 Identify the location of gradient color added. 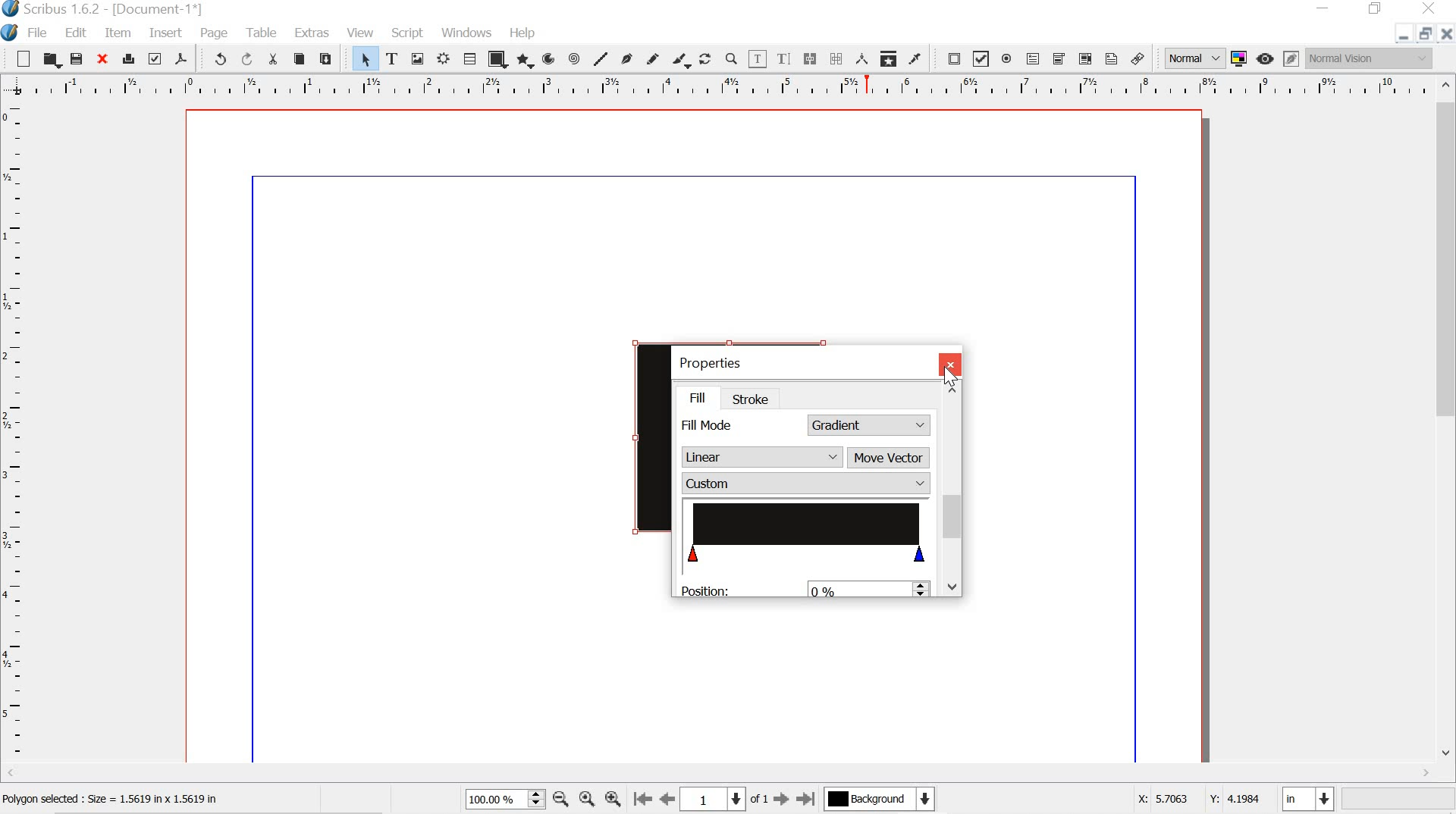
(811, 531).